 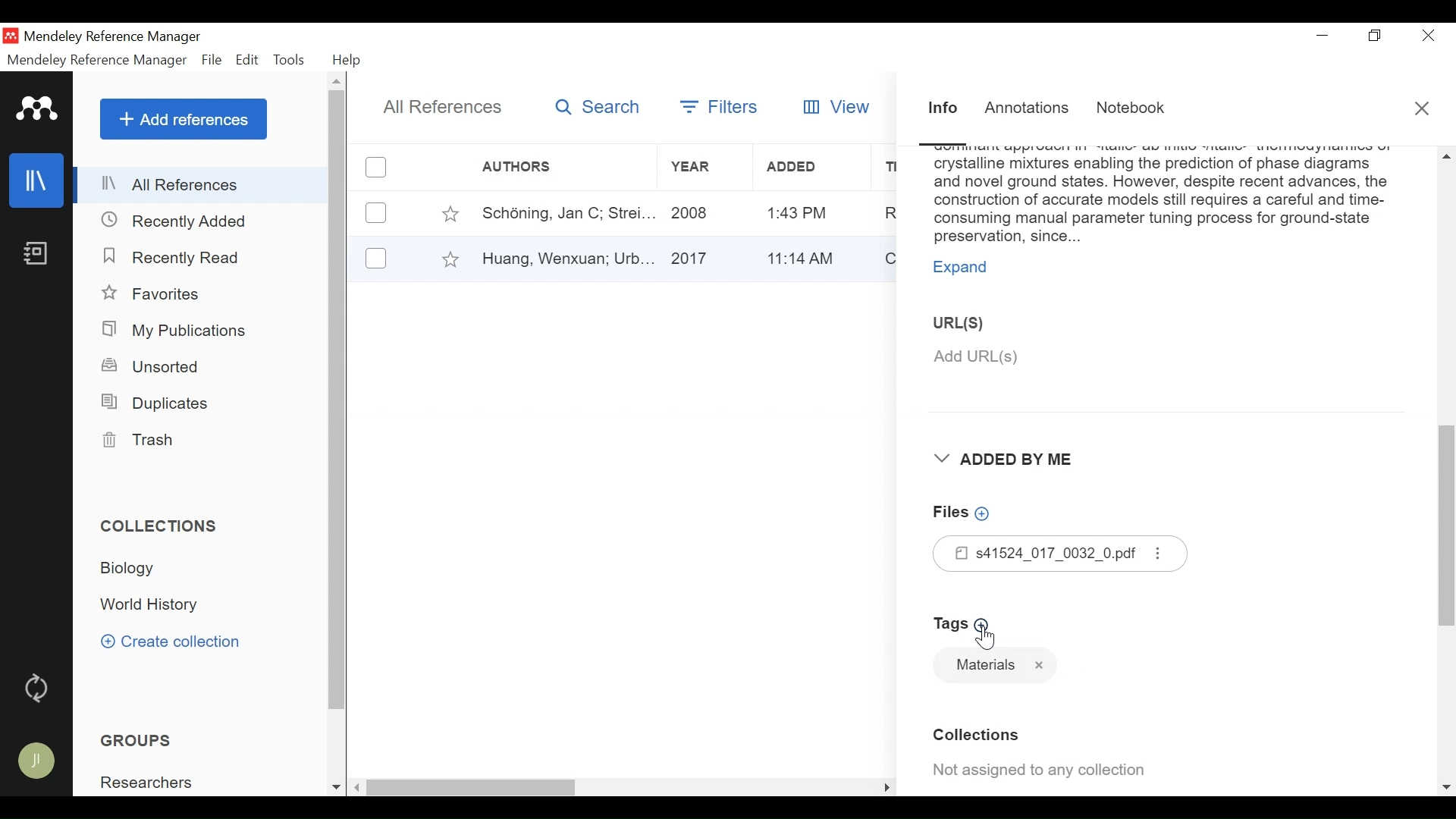 I want to click on Vertical Scroll bar, so click(x=474, y=789).